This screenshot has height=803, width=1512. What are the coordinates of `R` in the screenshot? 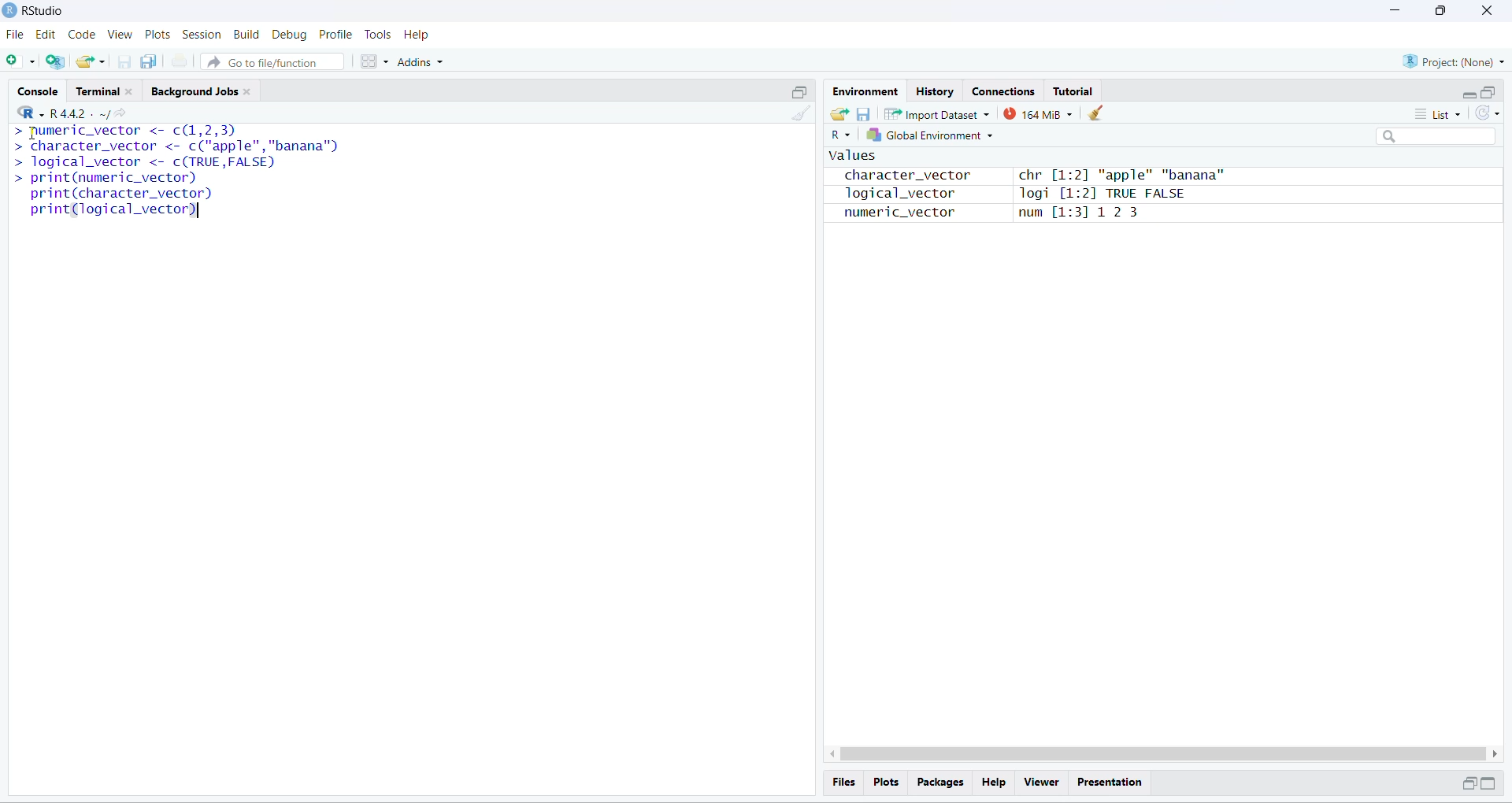 It's located at (839, 135).